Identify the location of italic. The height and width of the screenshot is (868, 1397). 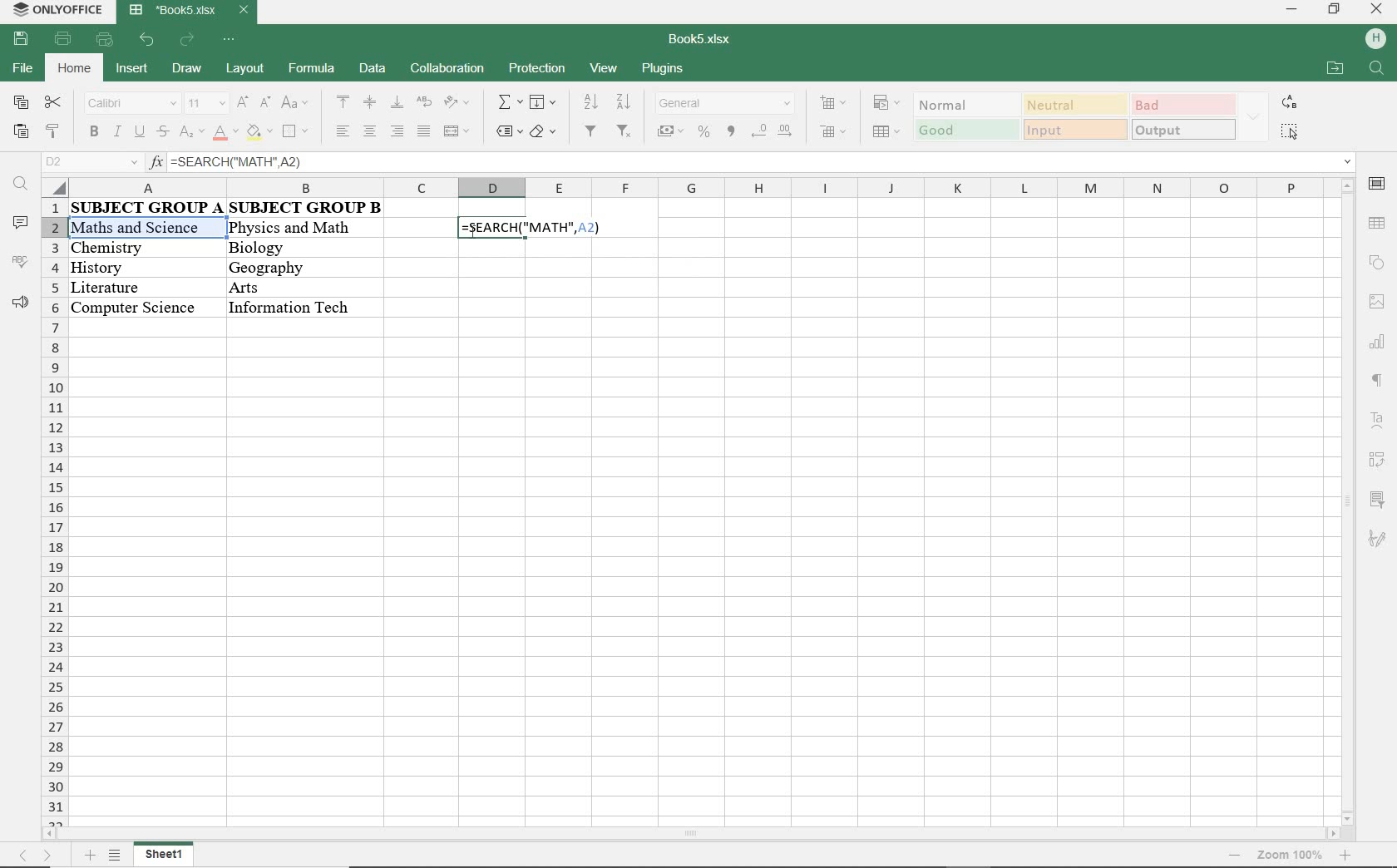
(116, 133).